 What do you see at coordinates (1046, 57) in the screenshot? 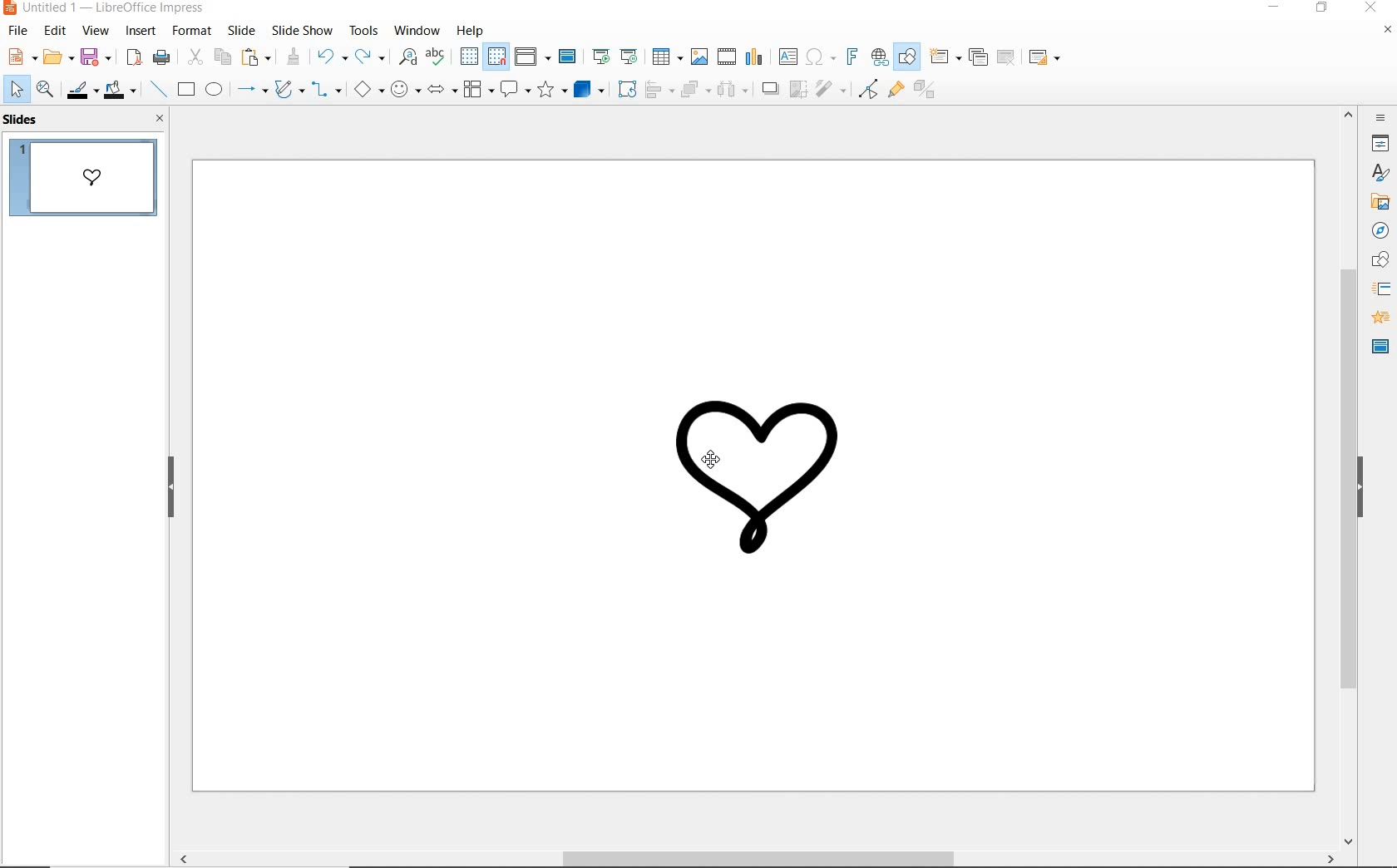
I see `slide layout` at bounding box center [1046, 57].